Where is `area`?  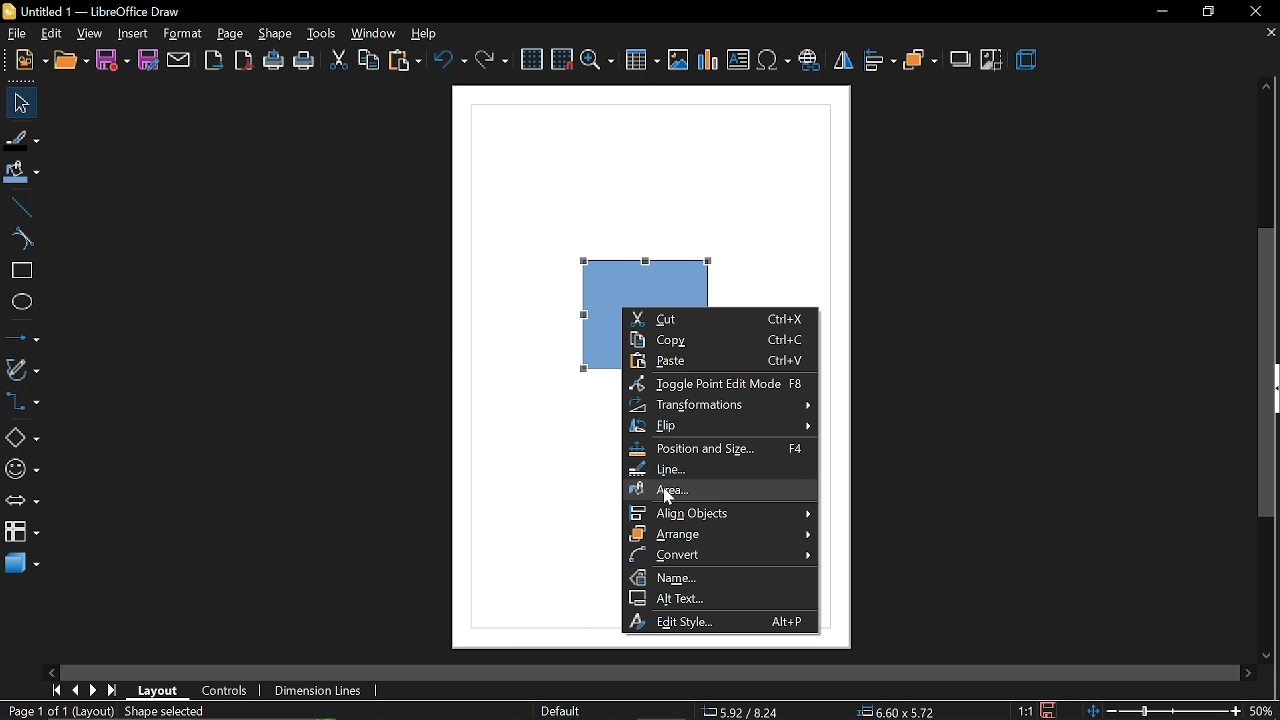 area is located at coordinates (722, 487).